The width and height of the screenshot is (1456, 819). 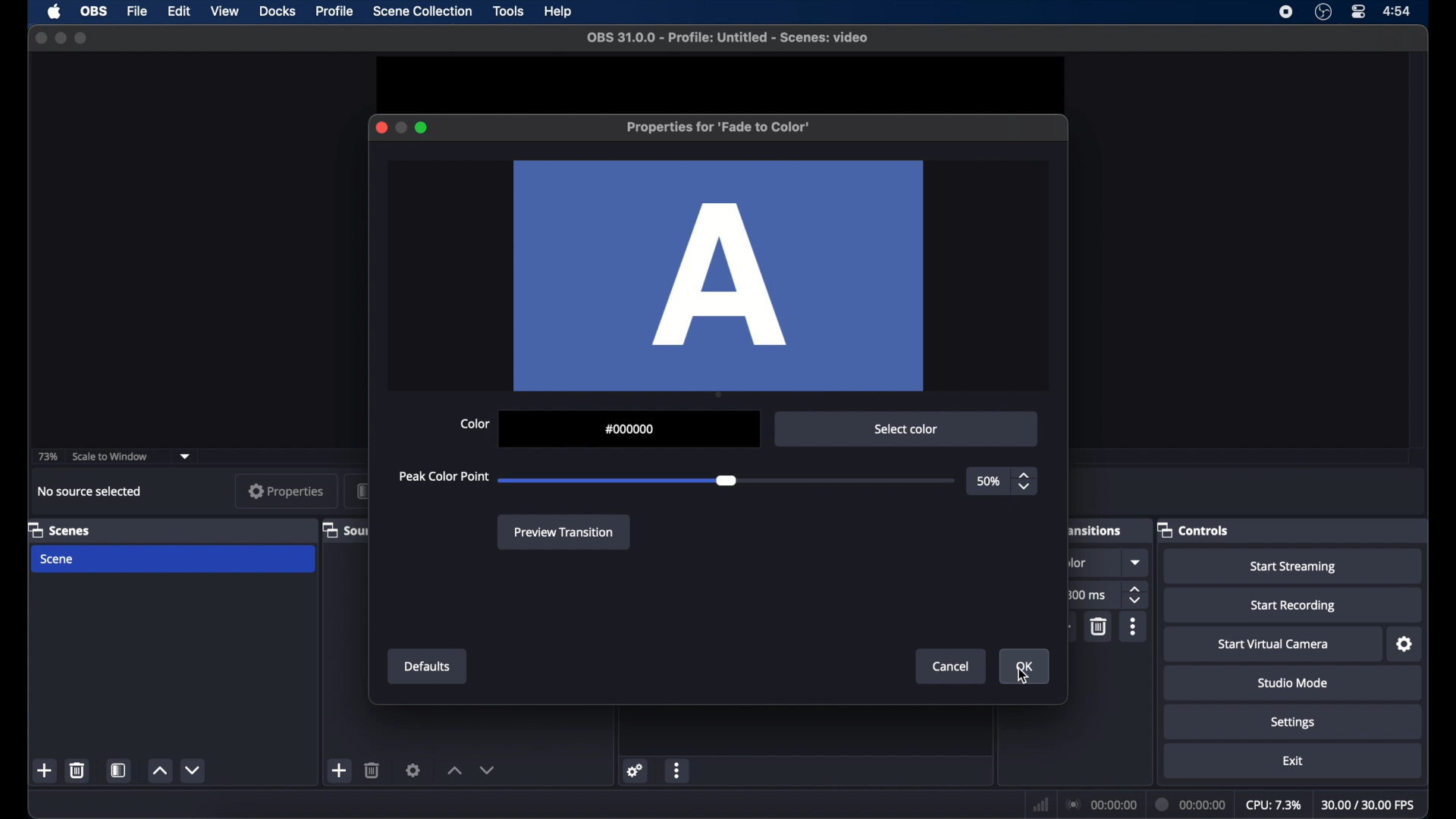 I want to click on color, so click(x=475, y=423).